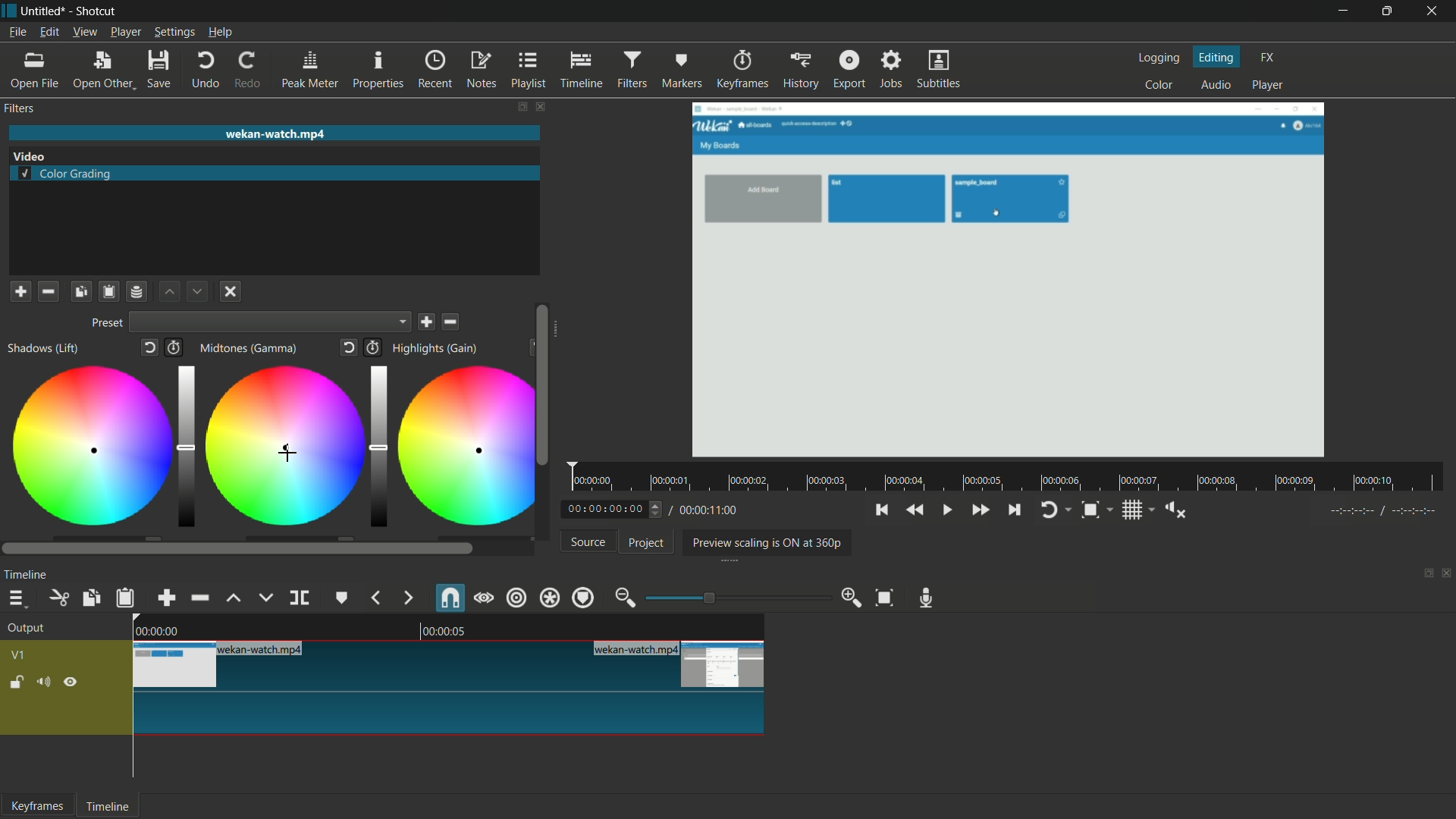 This screenshot has height=819, width=1456. What do you see at coordinates (799, 71) in the screenshot?
I see `history` at bounding box center [799, 71].